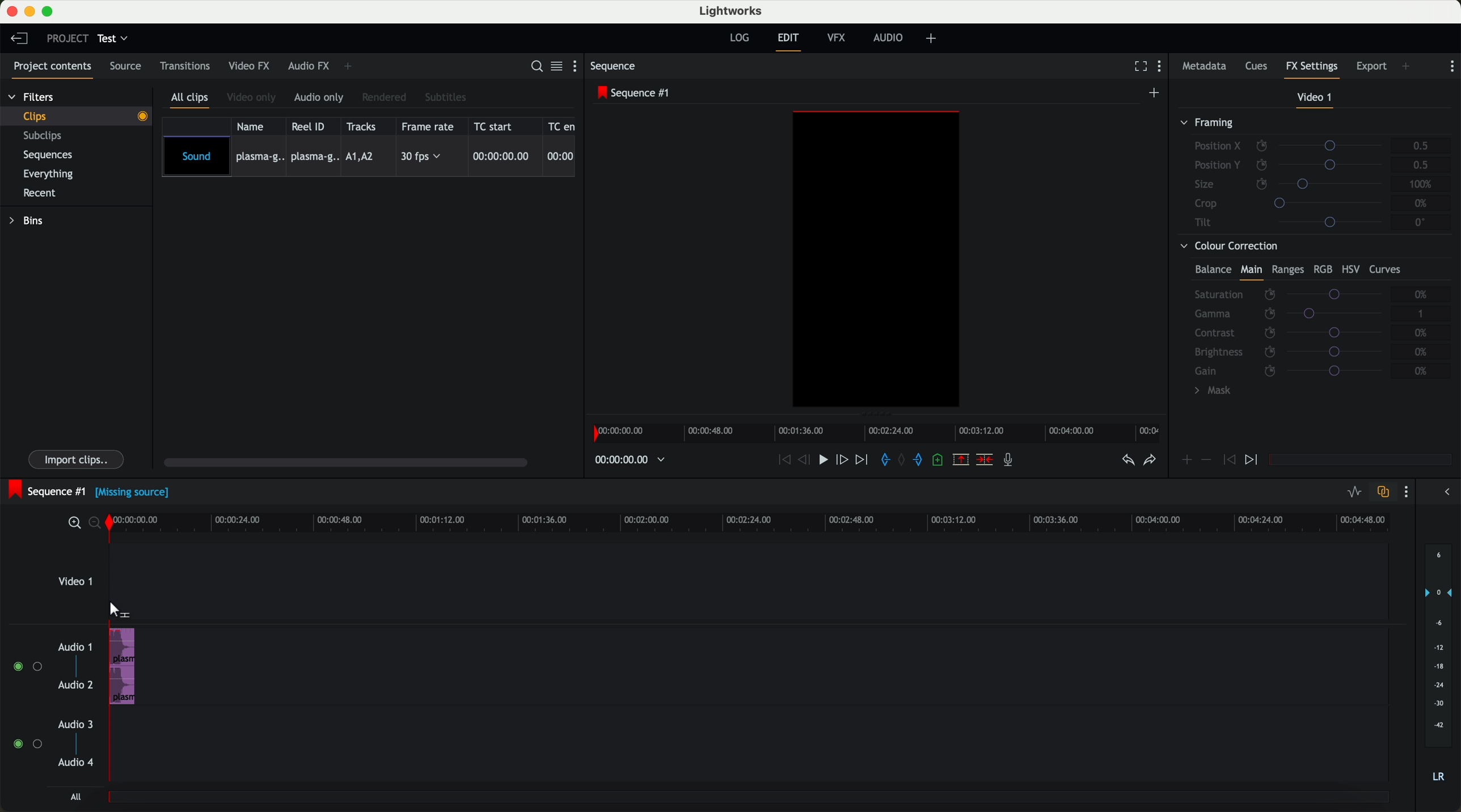 This screenshot has width=1461, height=812. Describe the element at coordinates (117, 610) in the screenshot. I see `cursor` at that location.